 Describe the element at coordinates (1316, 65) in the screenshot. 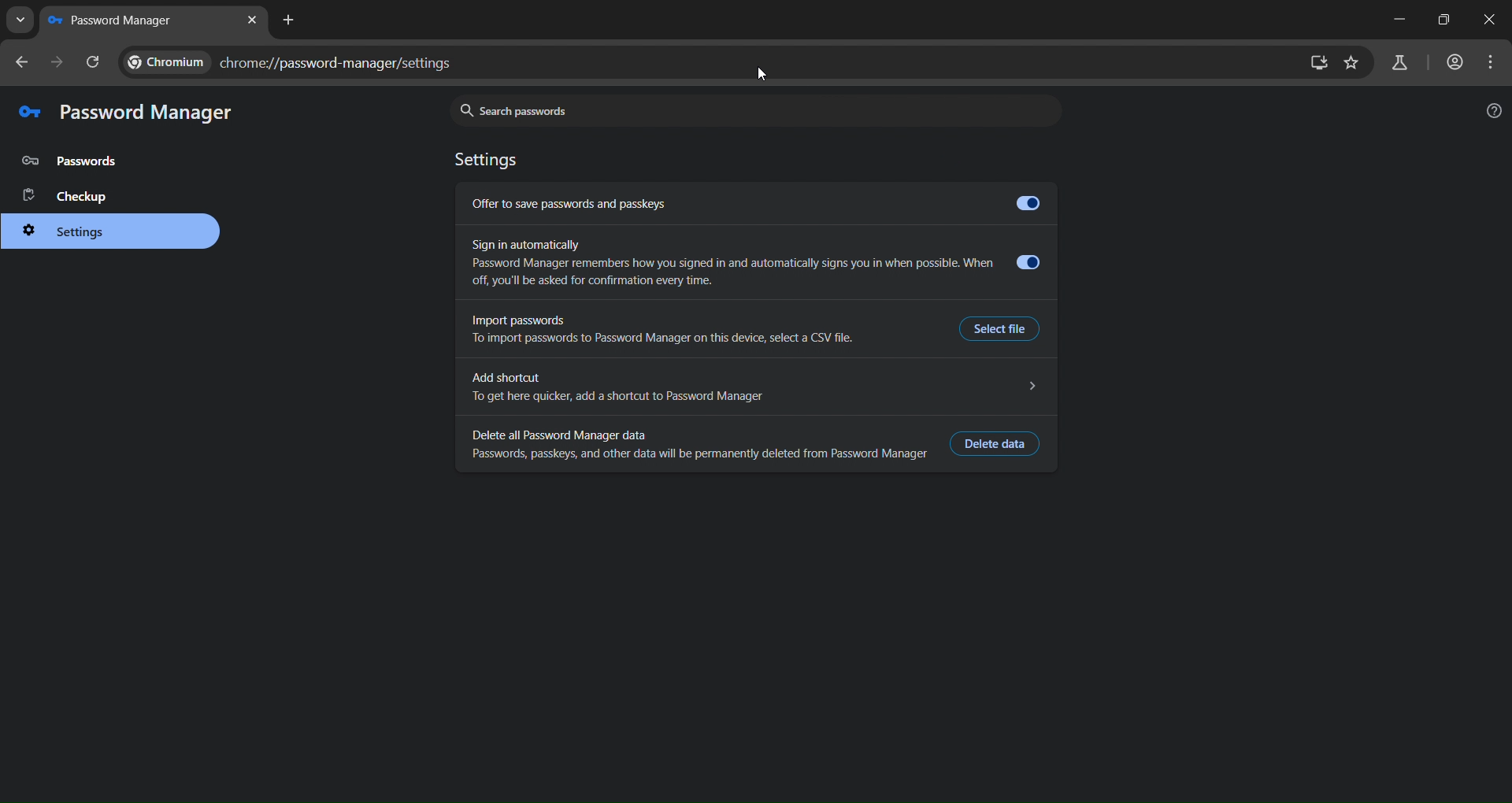

I see `zoom` at that location.